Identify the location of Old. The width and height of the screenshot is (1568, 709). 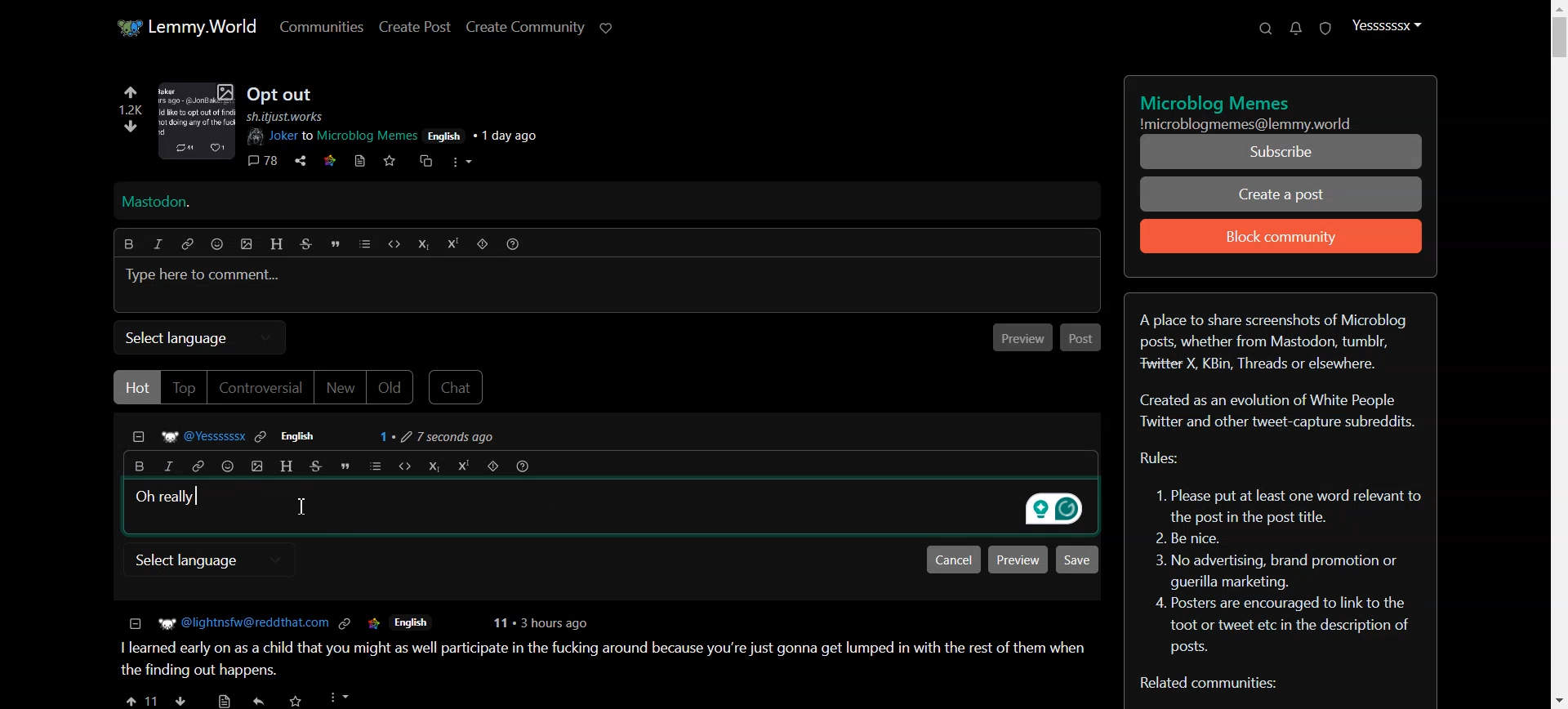
(391, 387).